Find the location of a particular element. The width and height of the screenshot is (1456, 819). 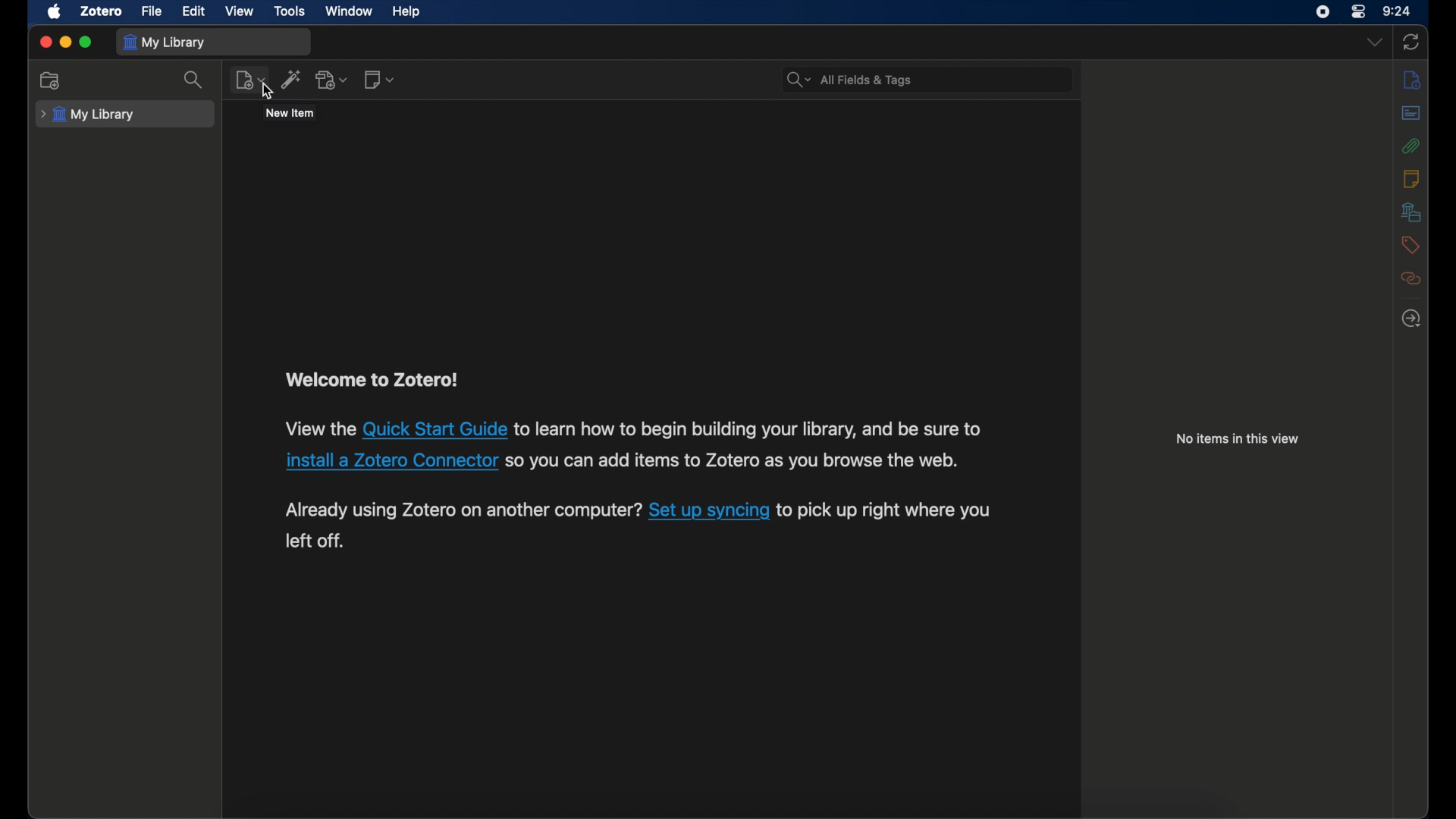

edit is located at coordinates (194, 11).